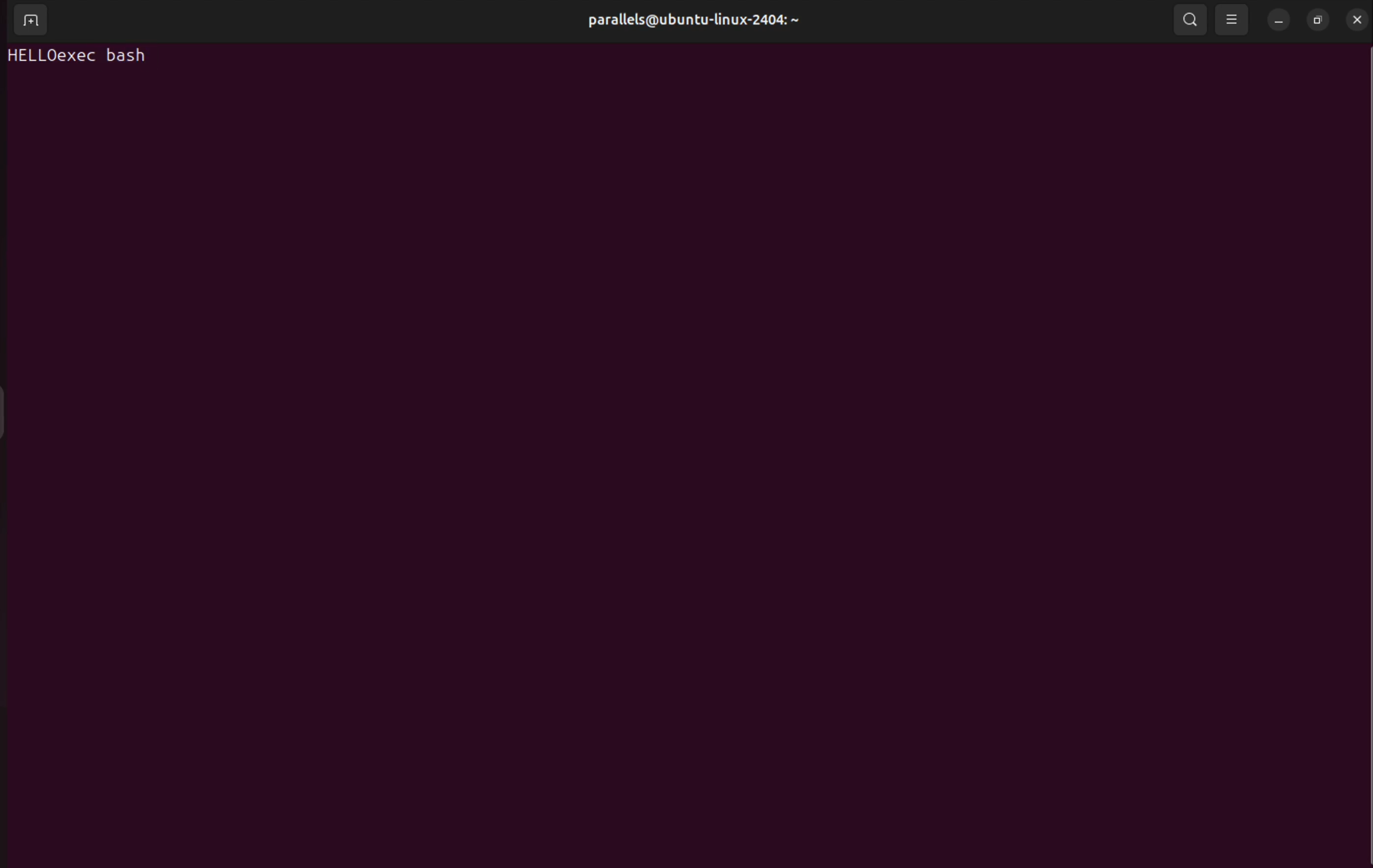  I want to click on username, so click(720, 21).